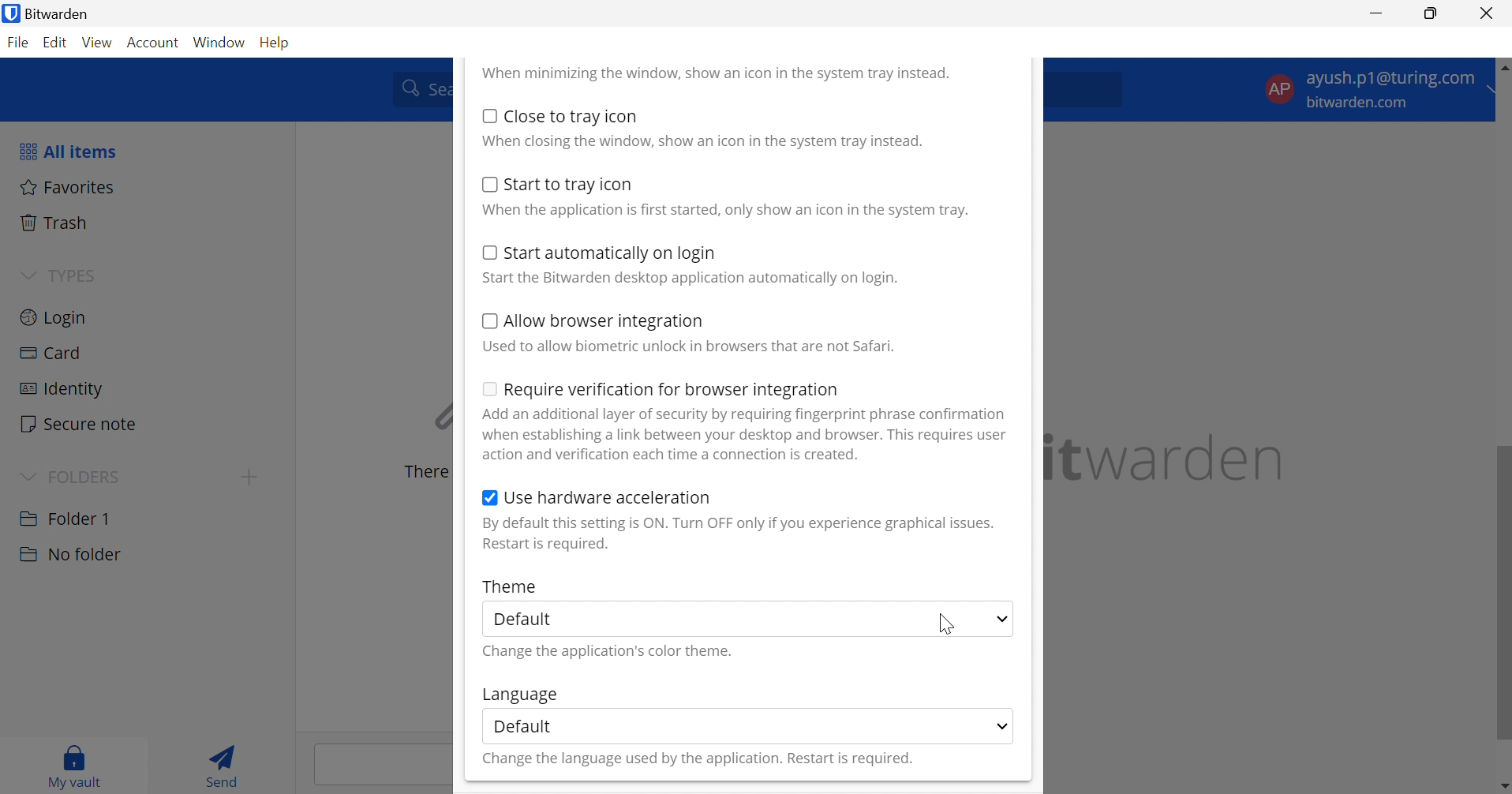  Describe the element at coordinates (715, 72) in the screenshot. I see `` at that location.